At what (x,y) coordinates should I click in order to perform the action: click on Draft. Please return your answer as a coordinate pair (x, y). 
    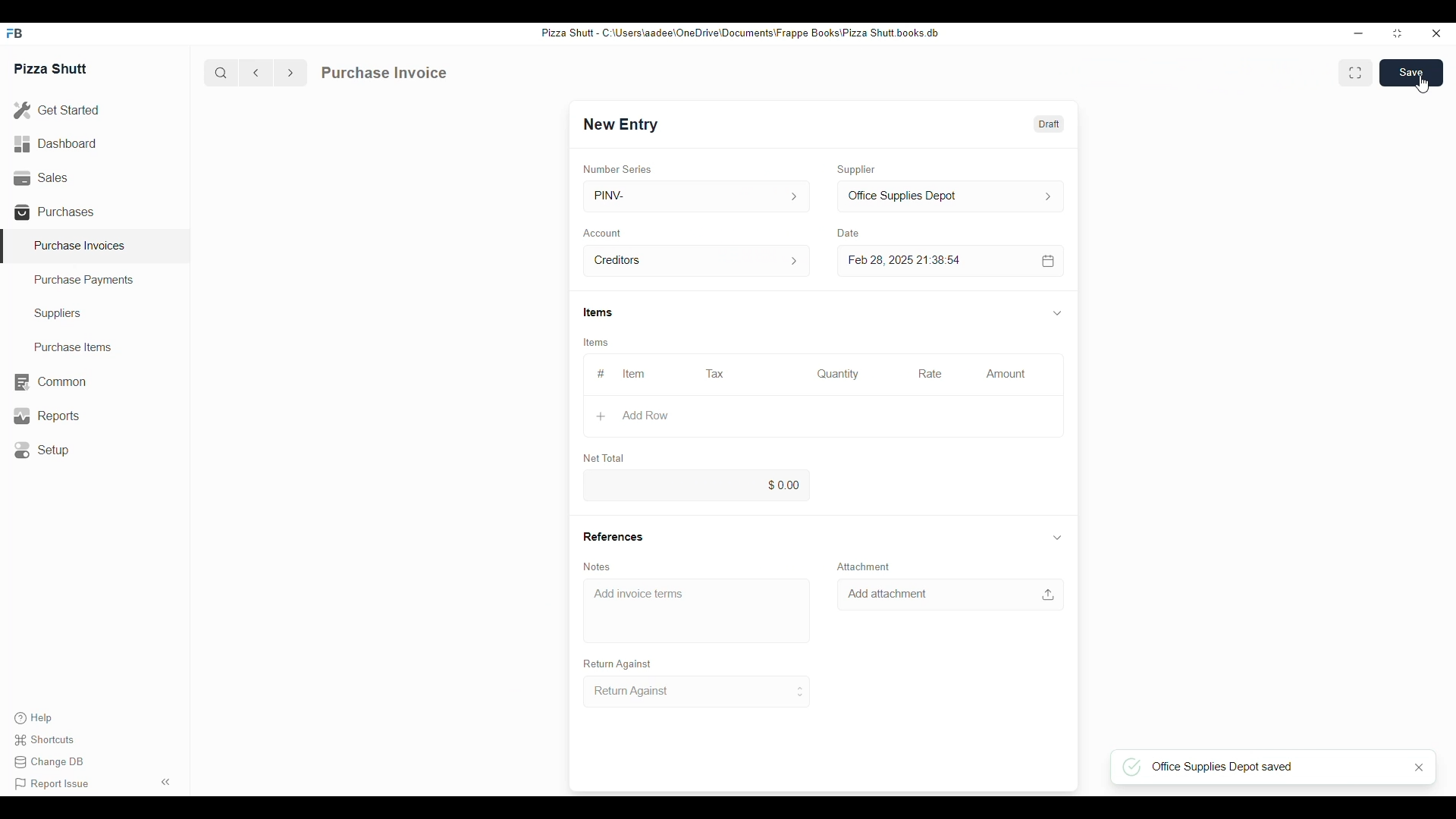
    Looking at the image, I should click on (1048, 124).